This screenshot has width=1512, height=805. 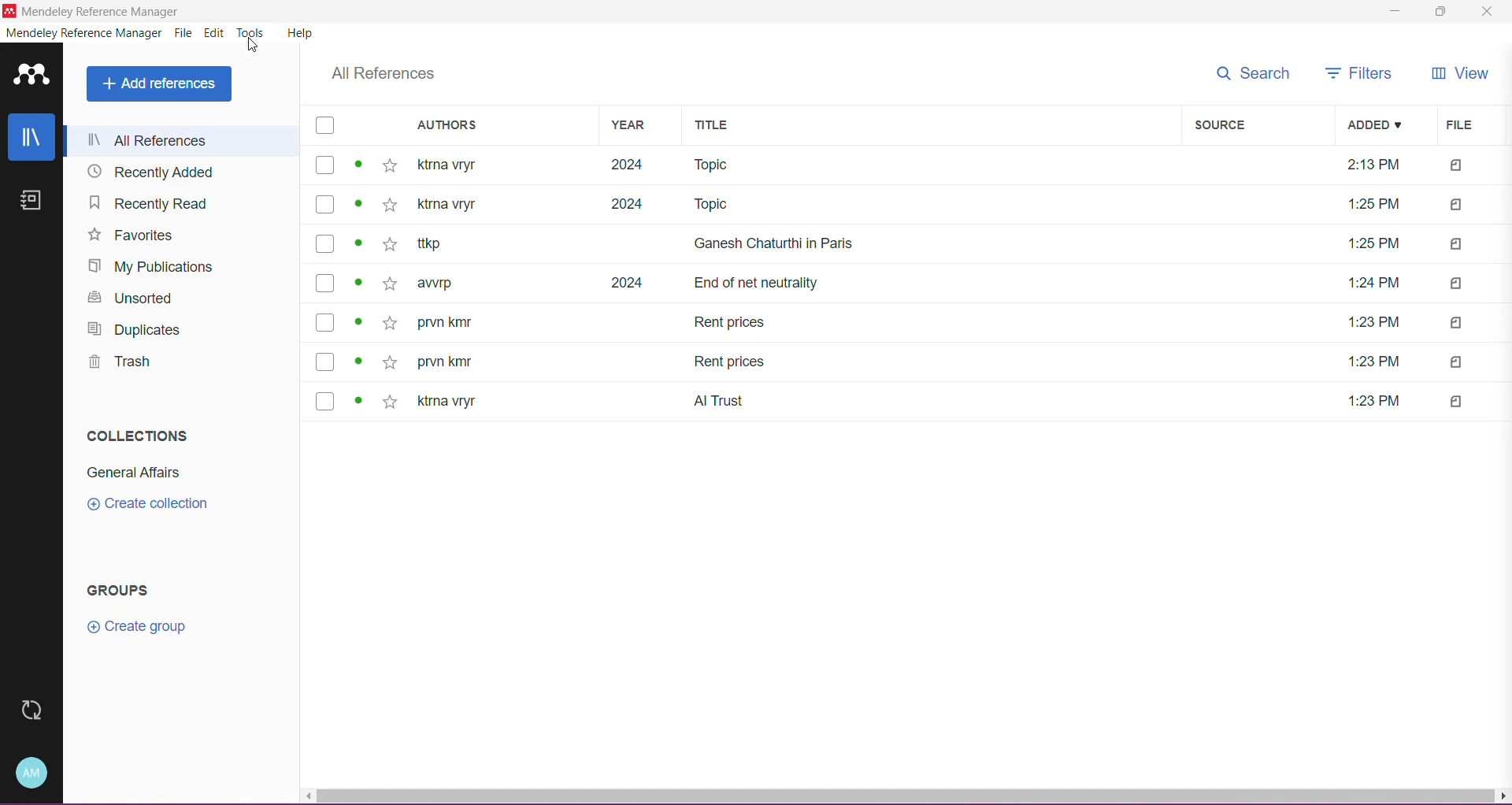 I want to click on file, so click(x=1457, y=203).